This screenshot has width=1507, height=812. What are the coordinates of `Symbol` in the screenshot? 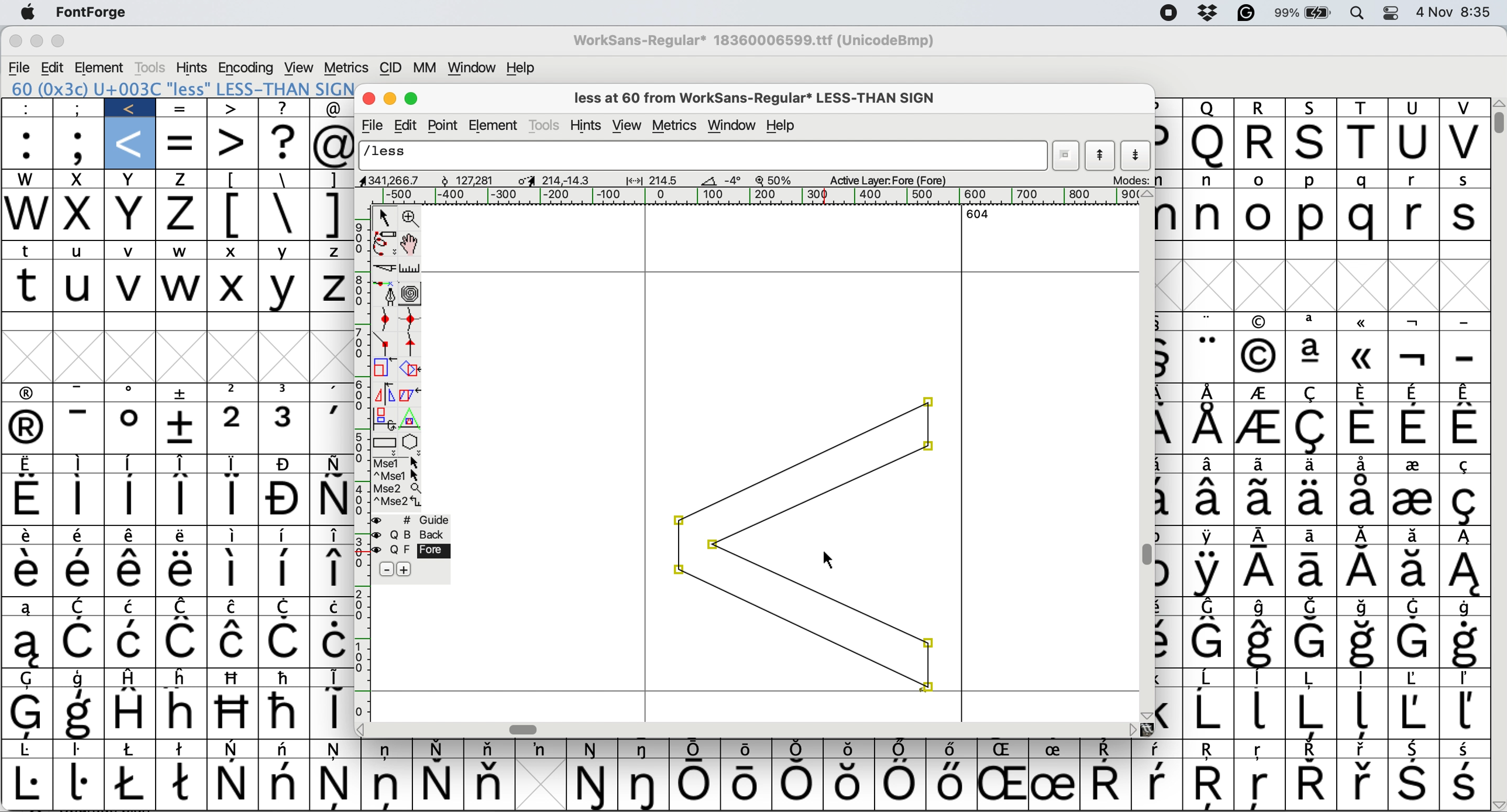 It's located at (329, 605).